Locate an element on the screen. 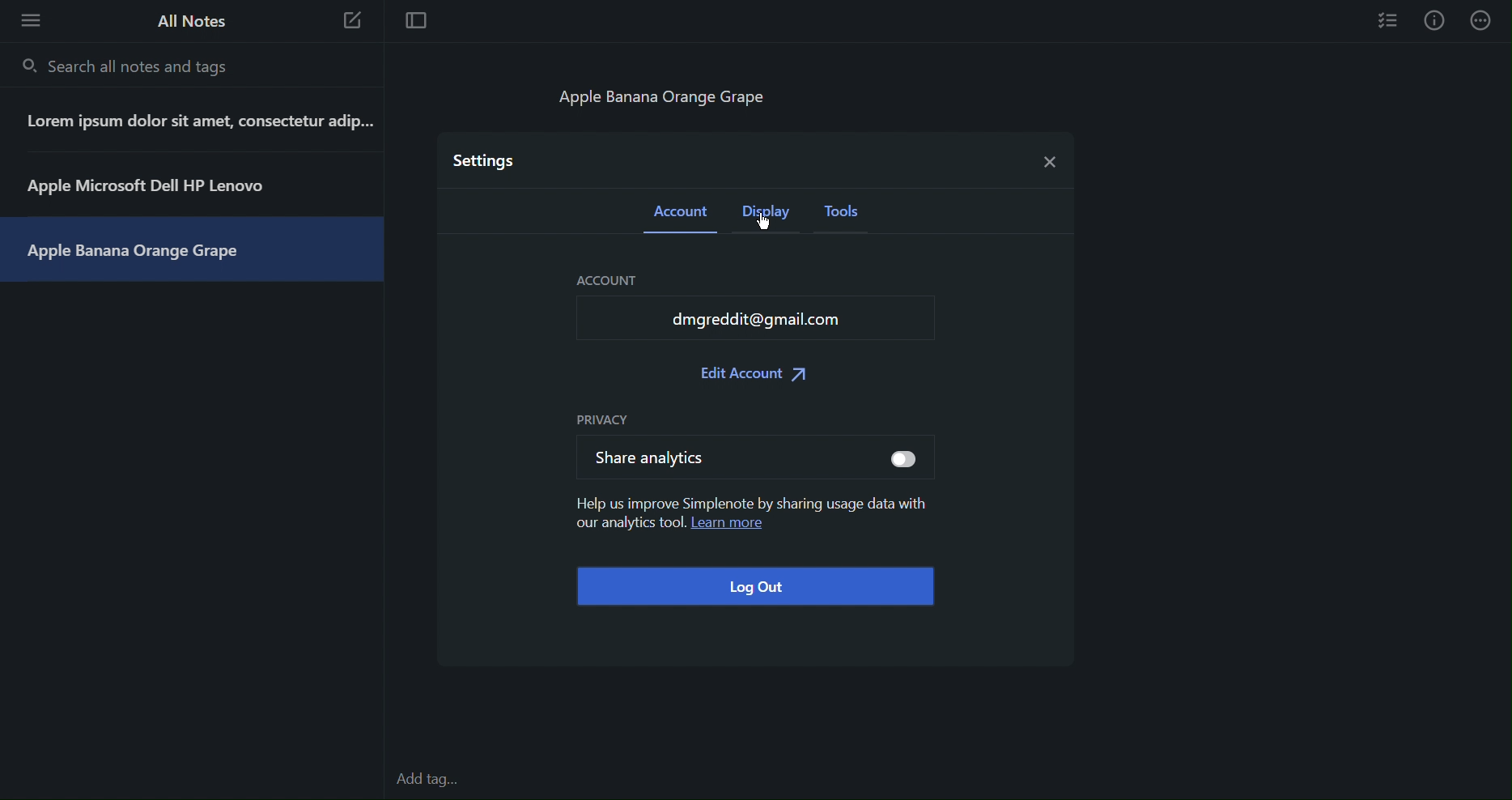 Image resolution: width=1512 pixels, height=800 pixels. Info is located at coordinates (1434, 20).